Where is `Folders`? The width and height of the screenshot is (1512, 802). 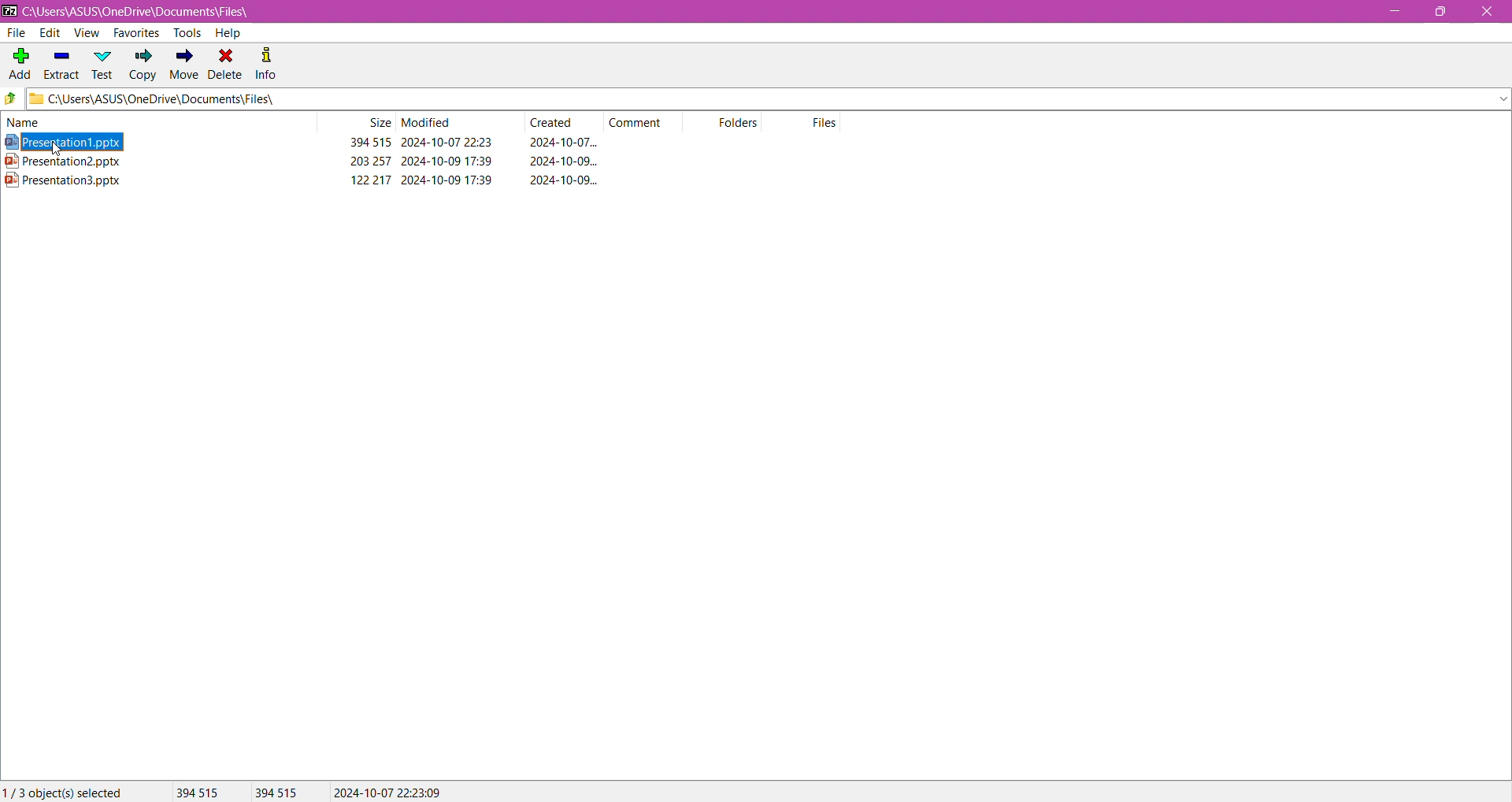 Folders is located at coordinates (745, 124).